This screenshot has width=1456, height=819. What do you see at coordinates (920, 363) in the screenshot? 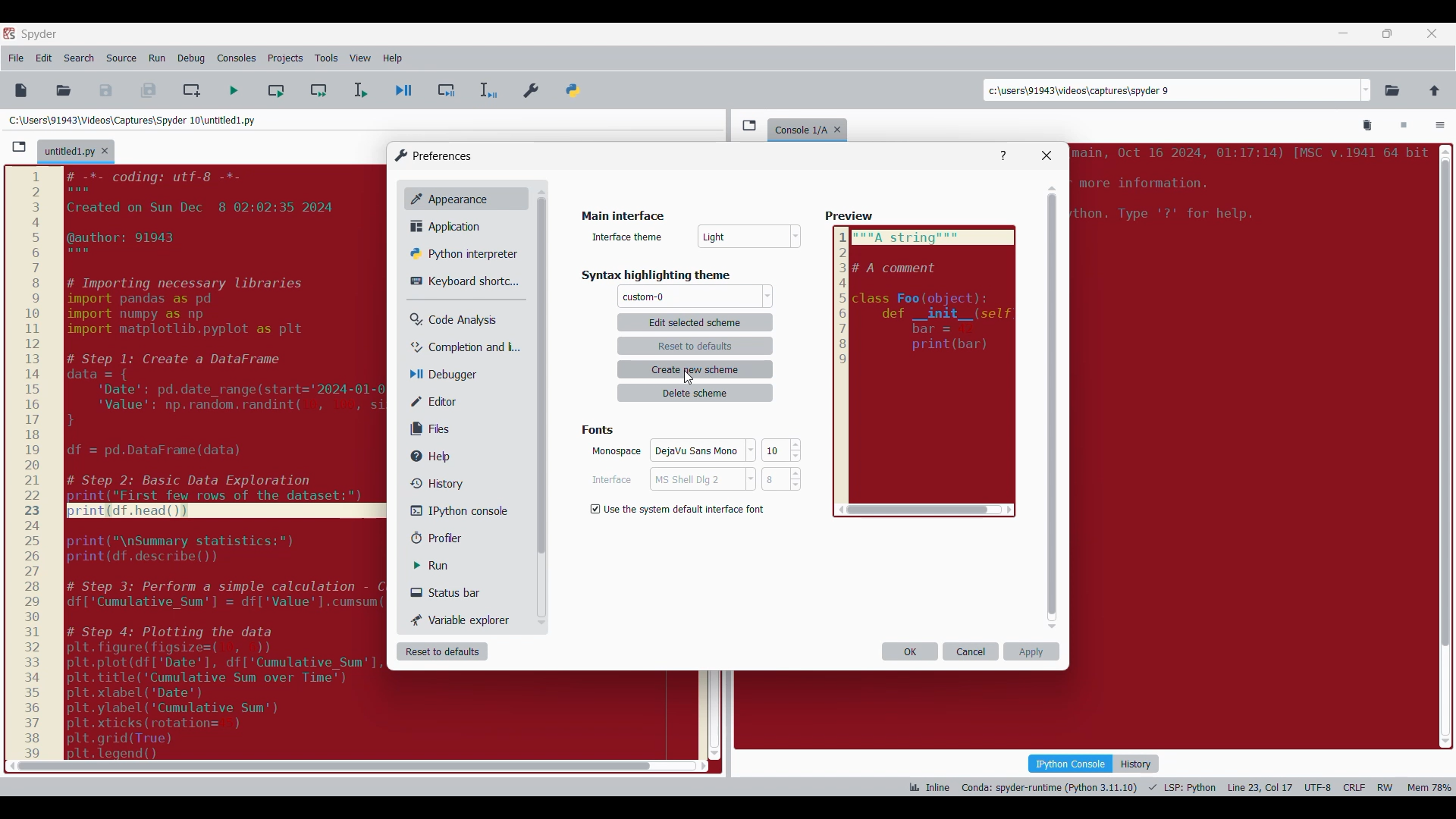
I see `Preview pane` at bounding box center [920, 363].